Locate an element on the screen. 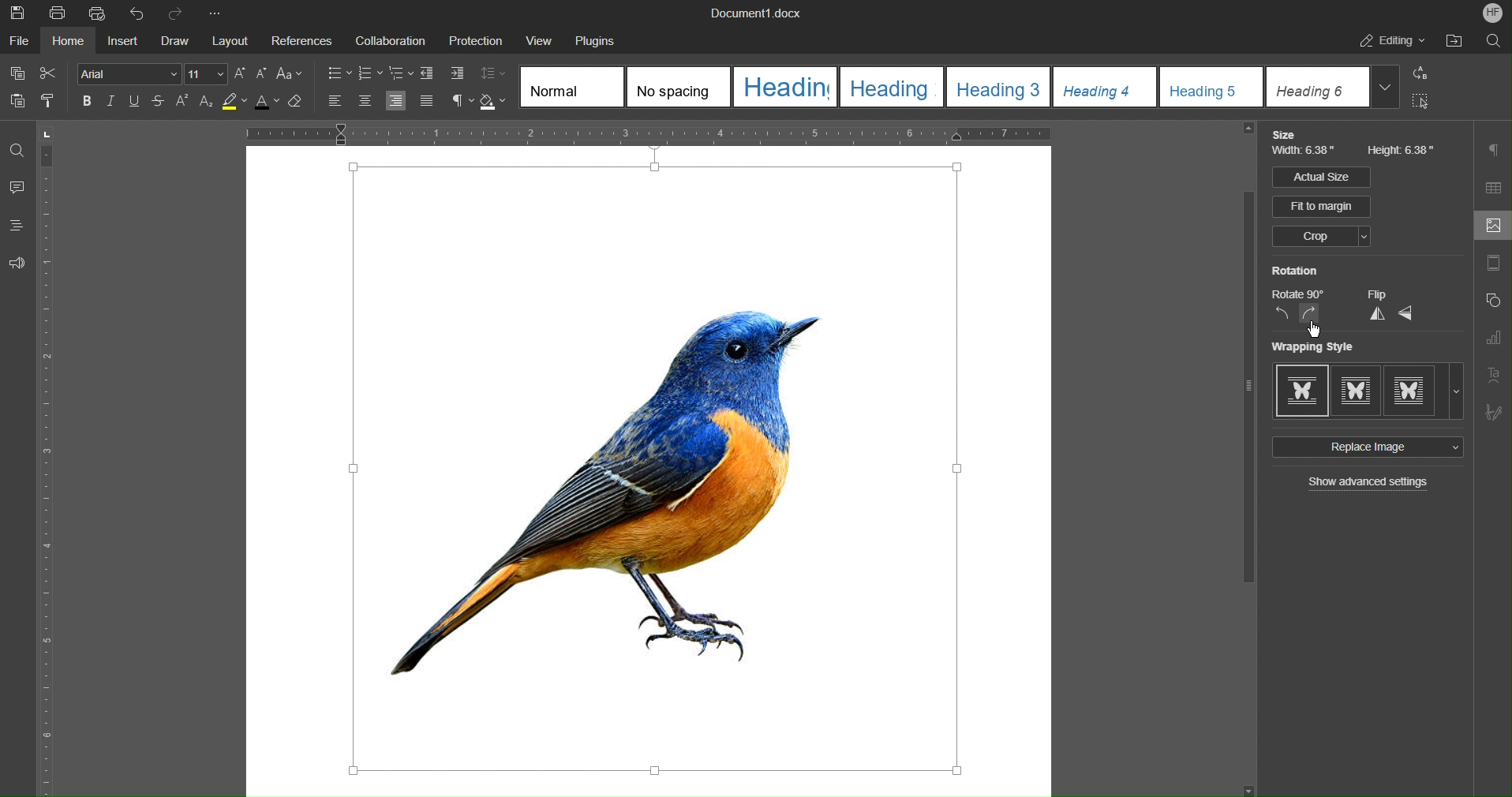 This screenshot has height=797, width=1512. Bullet Points is located at coordinates (339, 74).